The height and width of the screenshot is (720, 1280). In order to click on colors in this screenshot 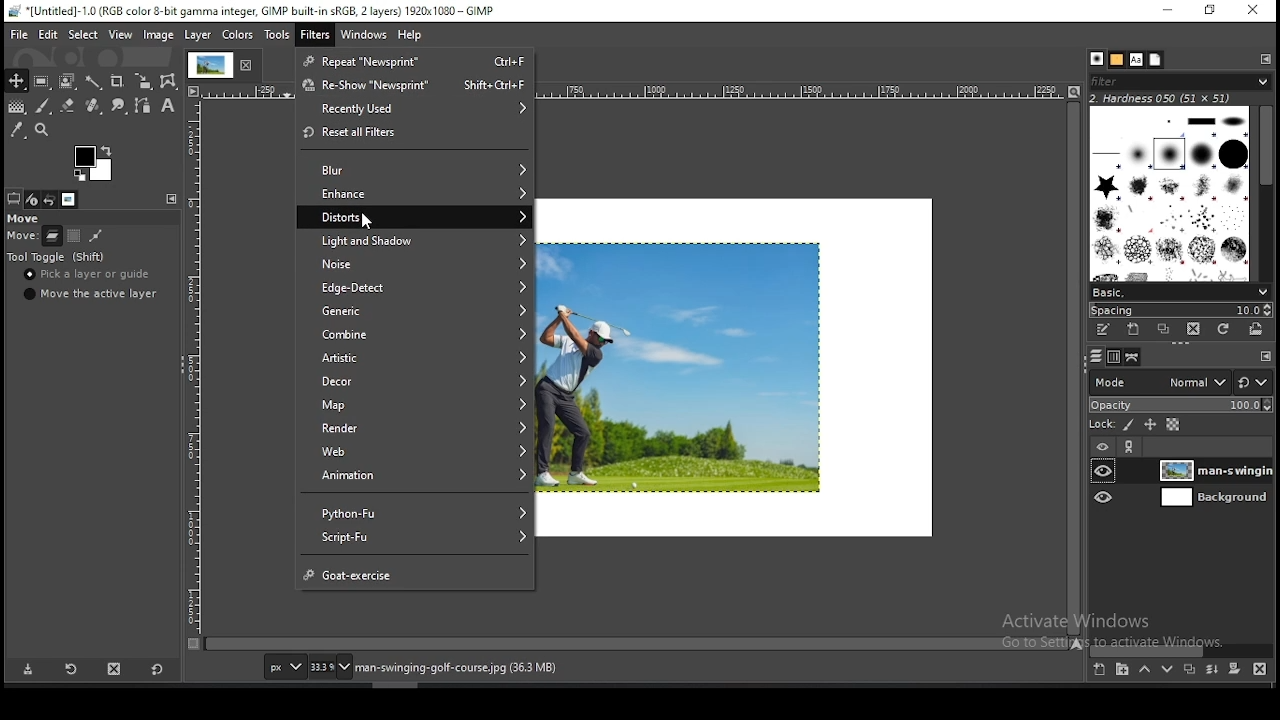, I will do `click(93, 163)`.